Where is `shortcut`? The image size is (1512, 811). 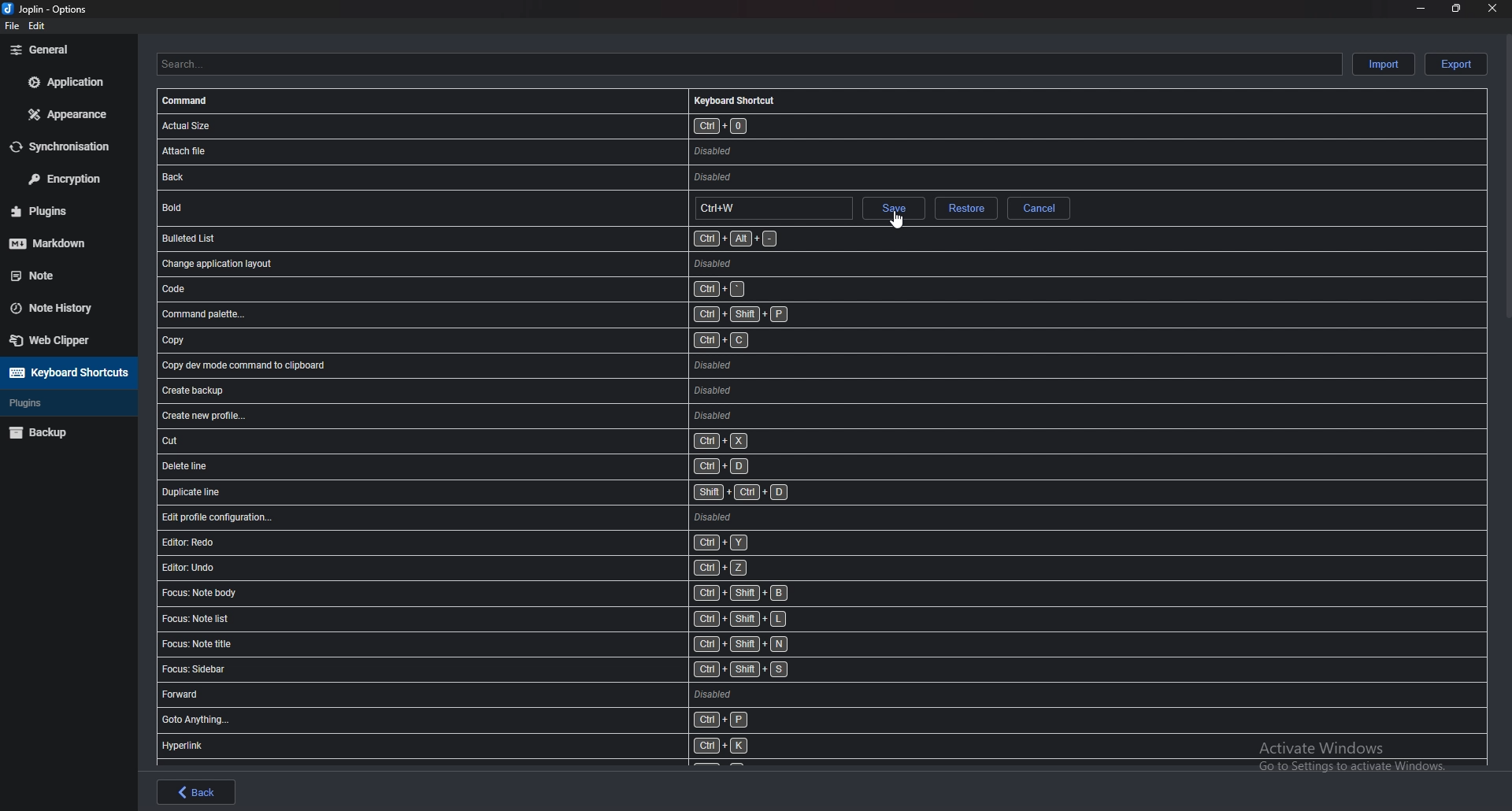
shortcut is located at coordinates (475, 261).